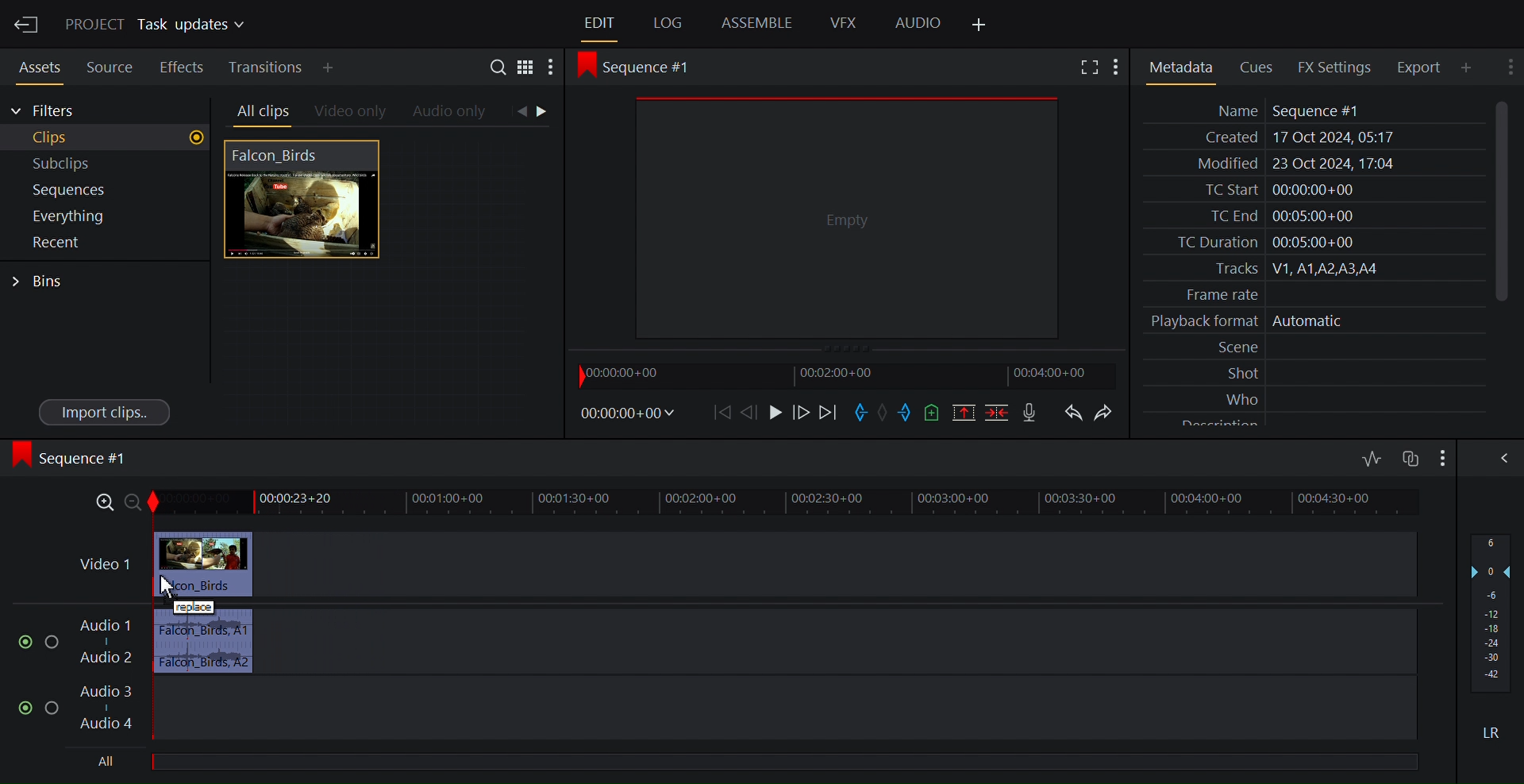  Describe the element at coordinates (1409, 459) in the screenshot. I see `Toggle audio track sync` at that location.